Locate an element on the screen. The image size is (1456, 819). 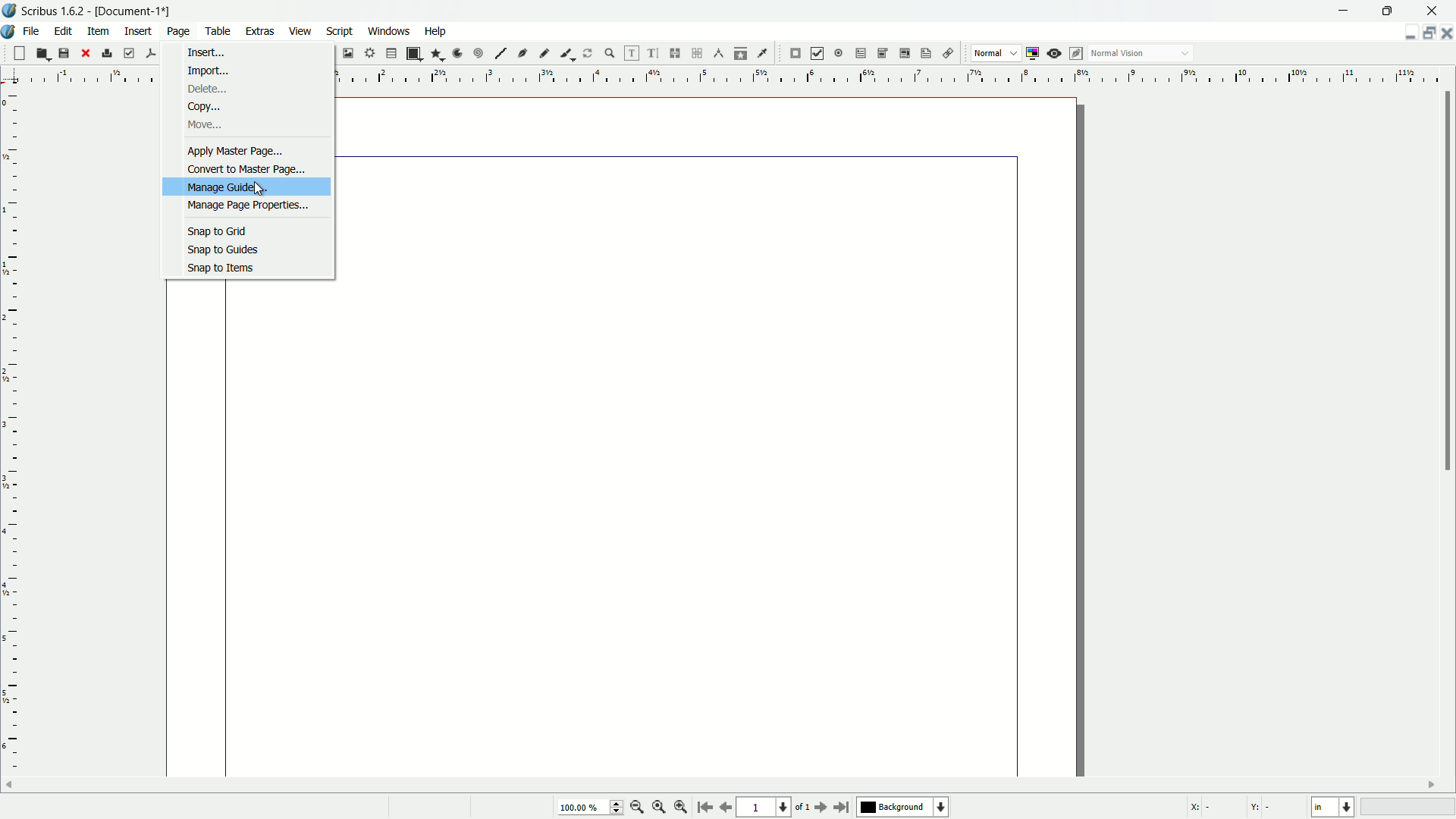
save is located at coordinates (64, 54).